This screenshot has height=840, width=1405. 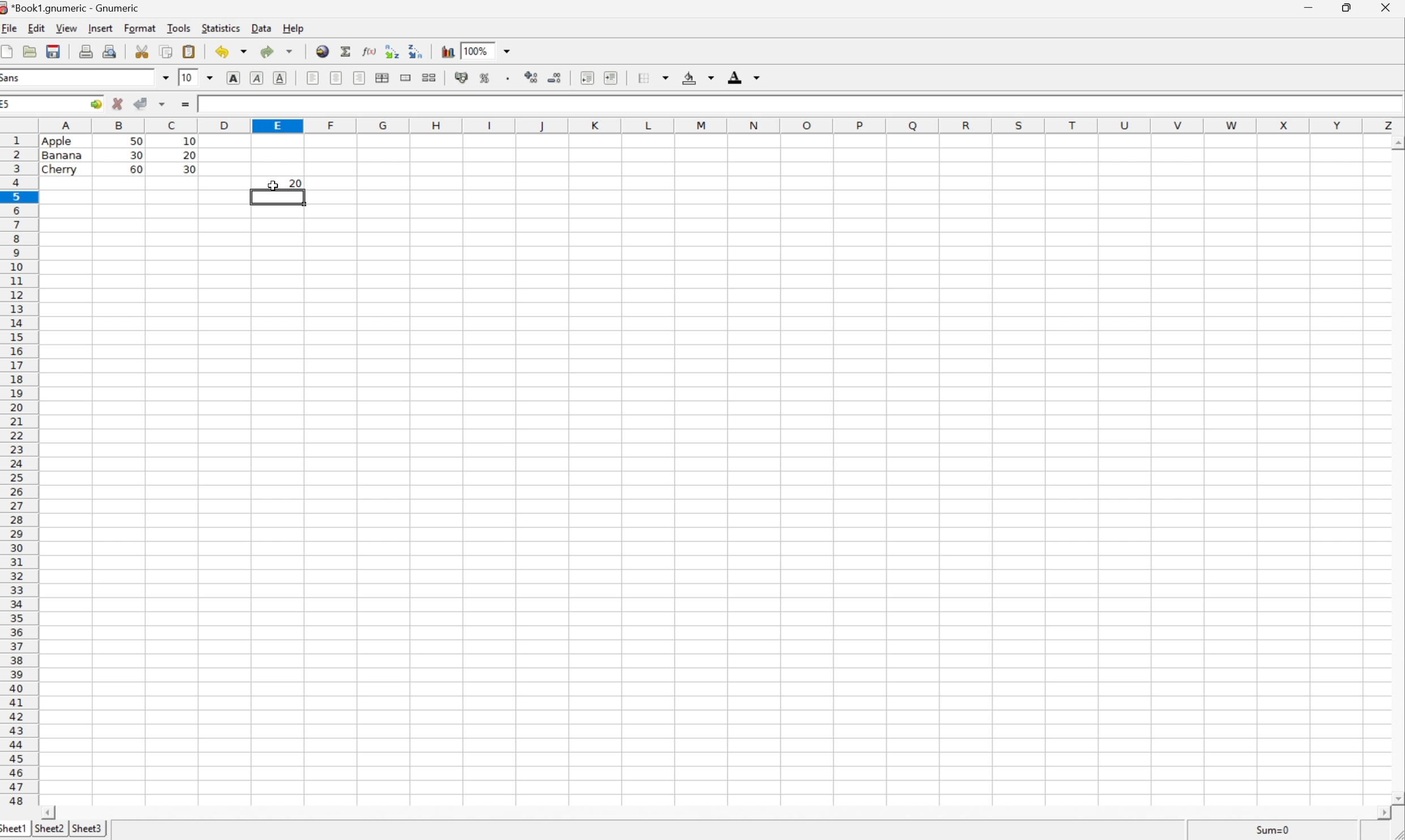 What do you see at coordinates (66, 28) in the screenshot?
I see `view` at bounding box center [66, 28].